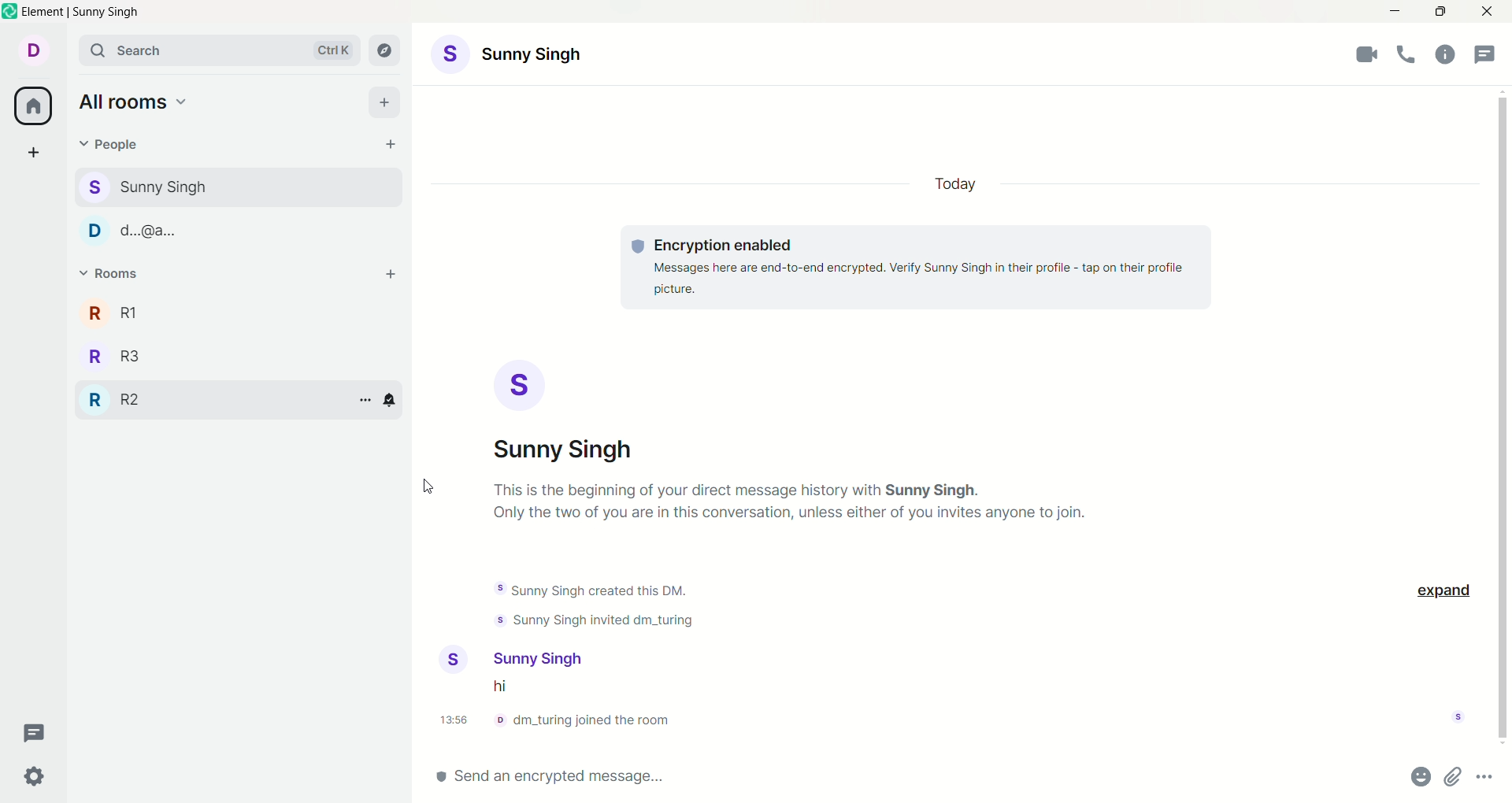  I want to click on text, so click(918, 270).